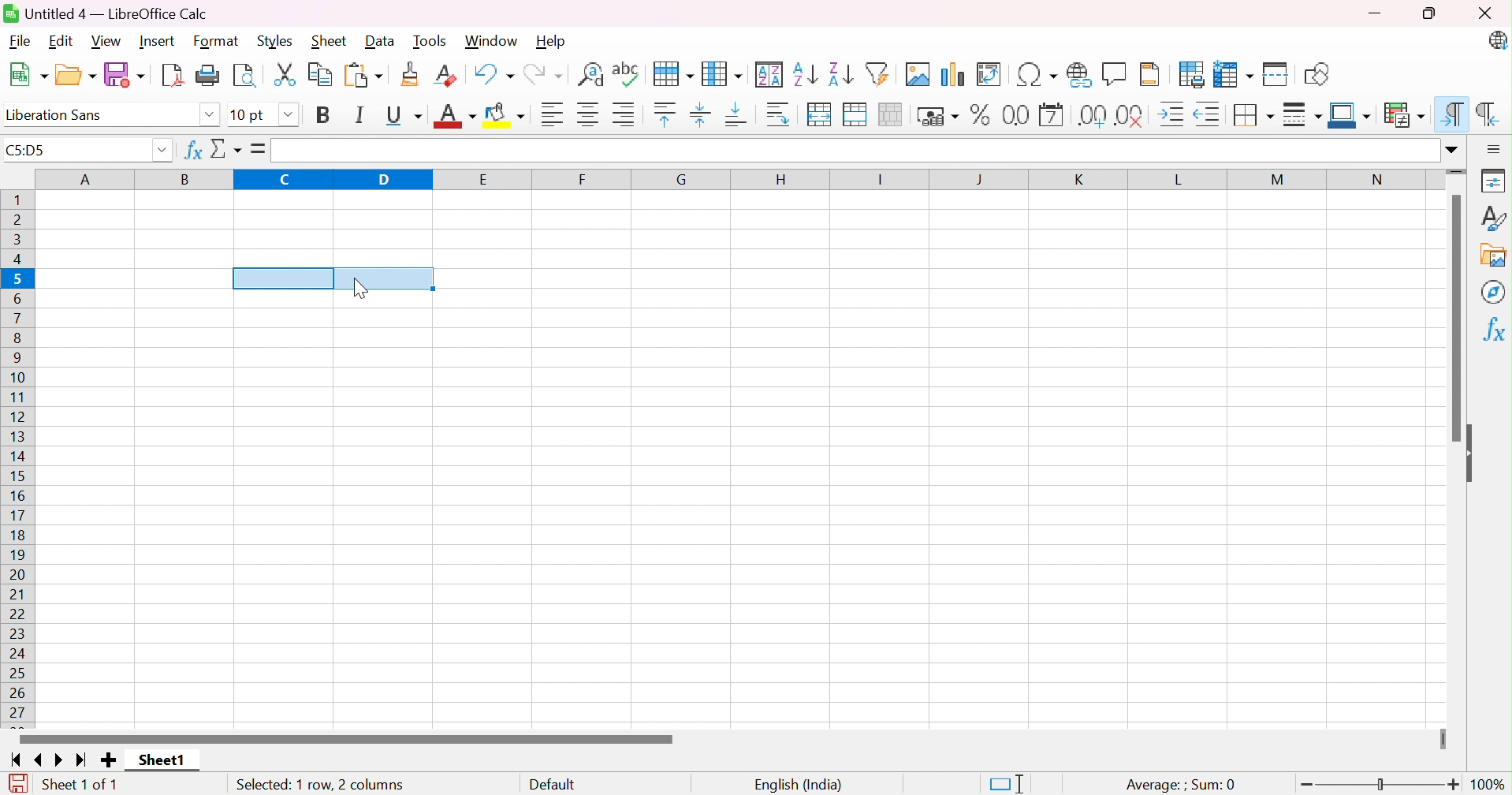 Image resolution: width=1512 pixels, height=795 pixels. What do you see at coordinates (858, 114) in the screenshot?
I see `Merge Cells` at bounding box center [858, 114].